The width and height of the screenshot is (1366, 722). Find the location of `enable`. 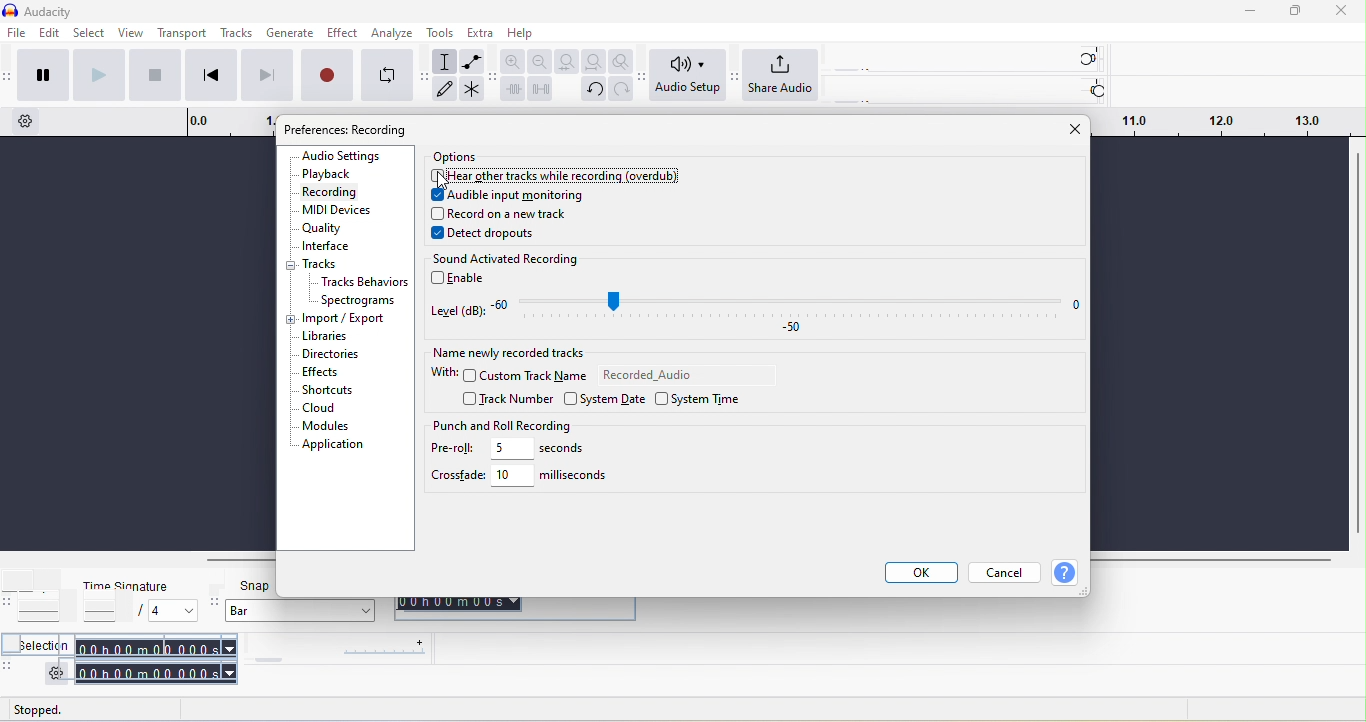

enable is located at coordinates (459, 279).